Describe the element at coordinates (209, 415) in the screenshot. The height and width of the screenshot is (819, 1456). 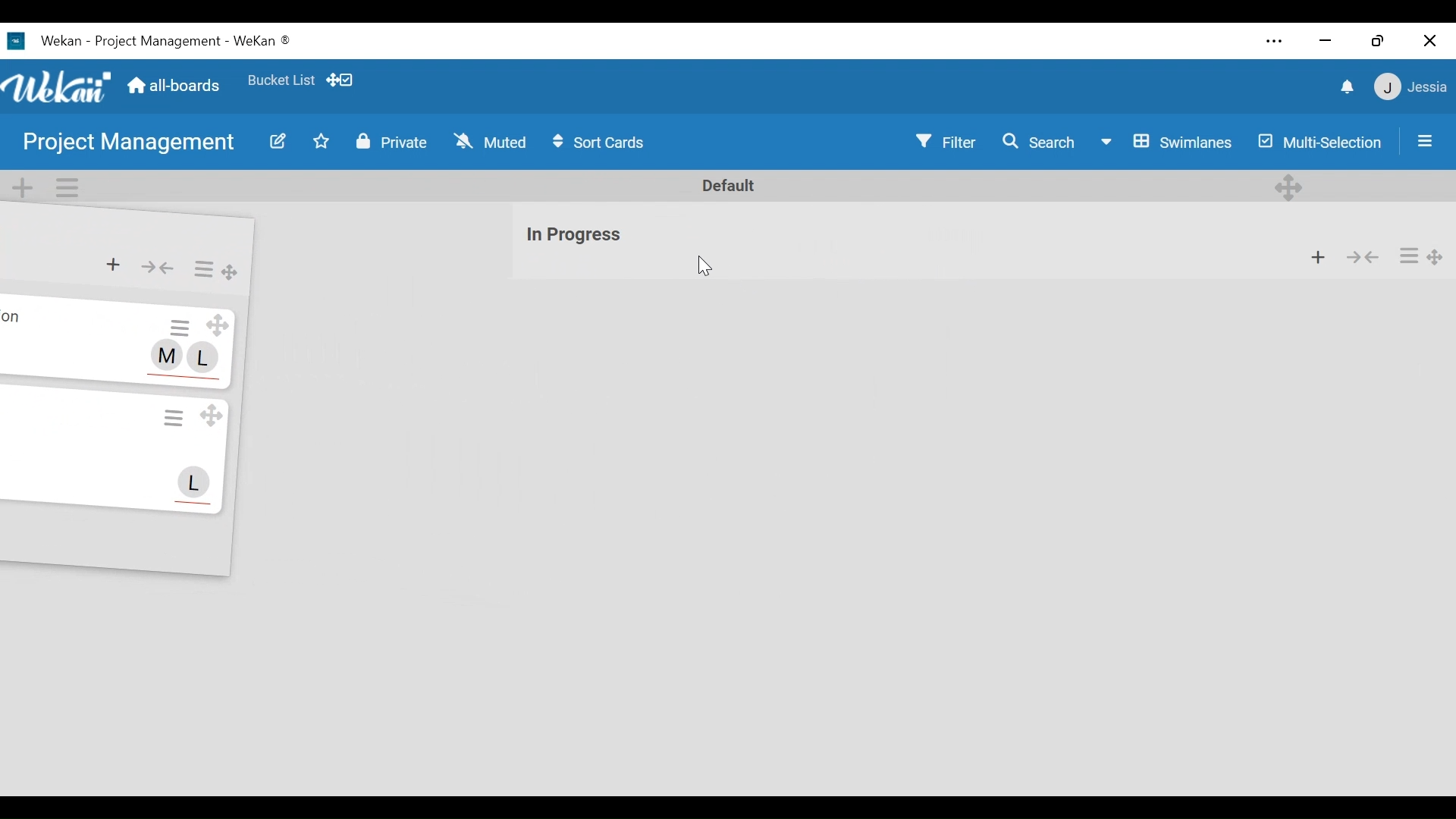
I see `Drag Card` at that location.